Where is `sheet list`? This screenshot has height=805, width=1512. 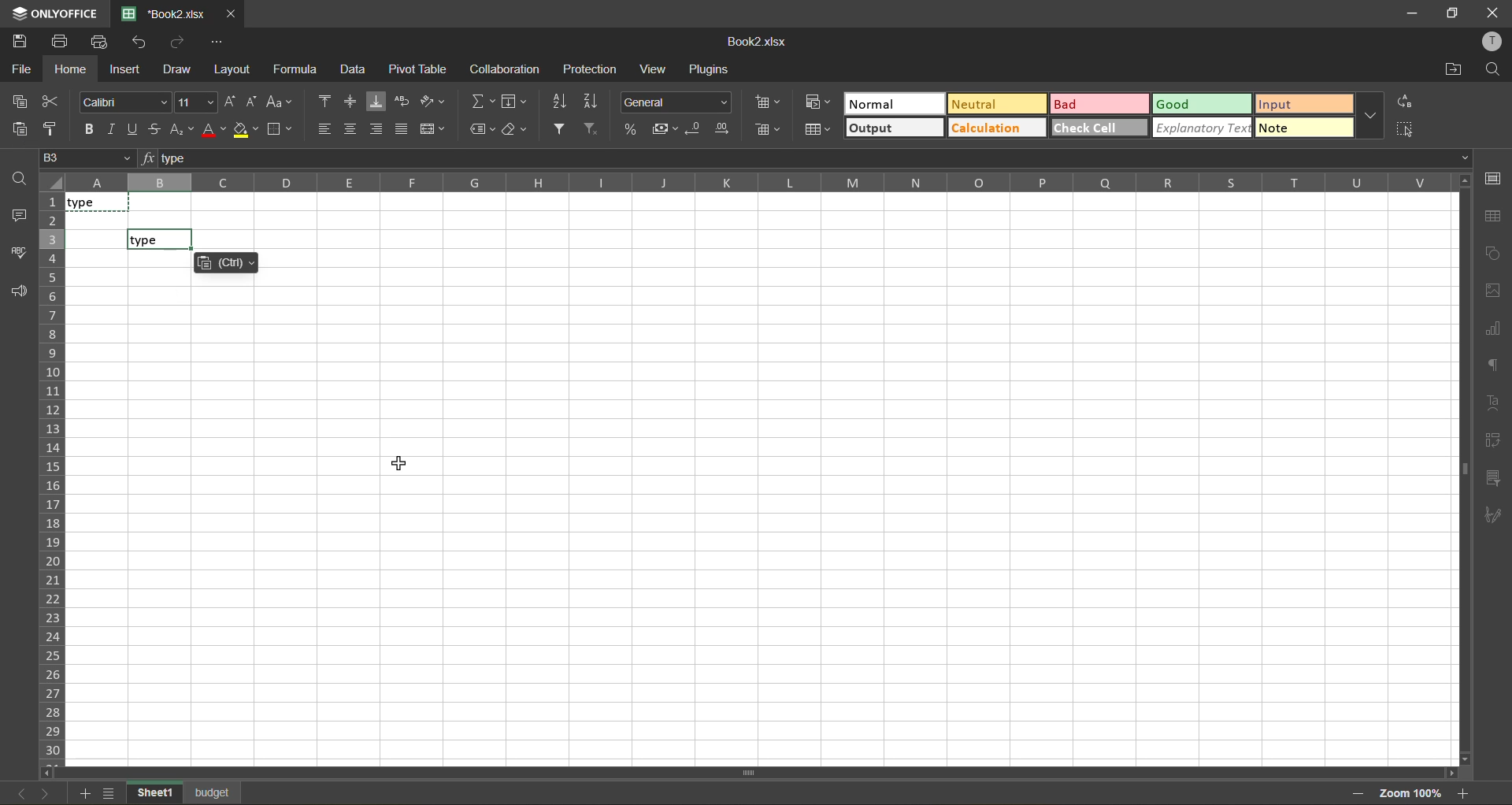 sheet list is located at coordinates (109, 792).